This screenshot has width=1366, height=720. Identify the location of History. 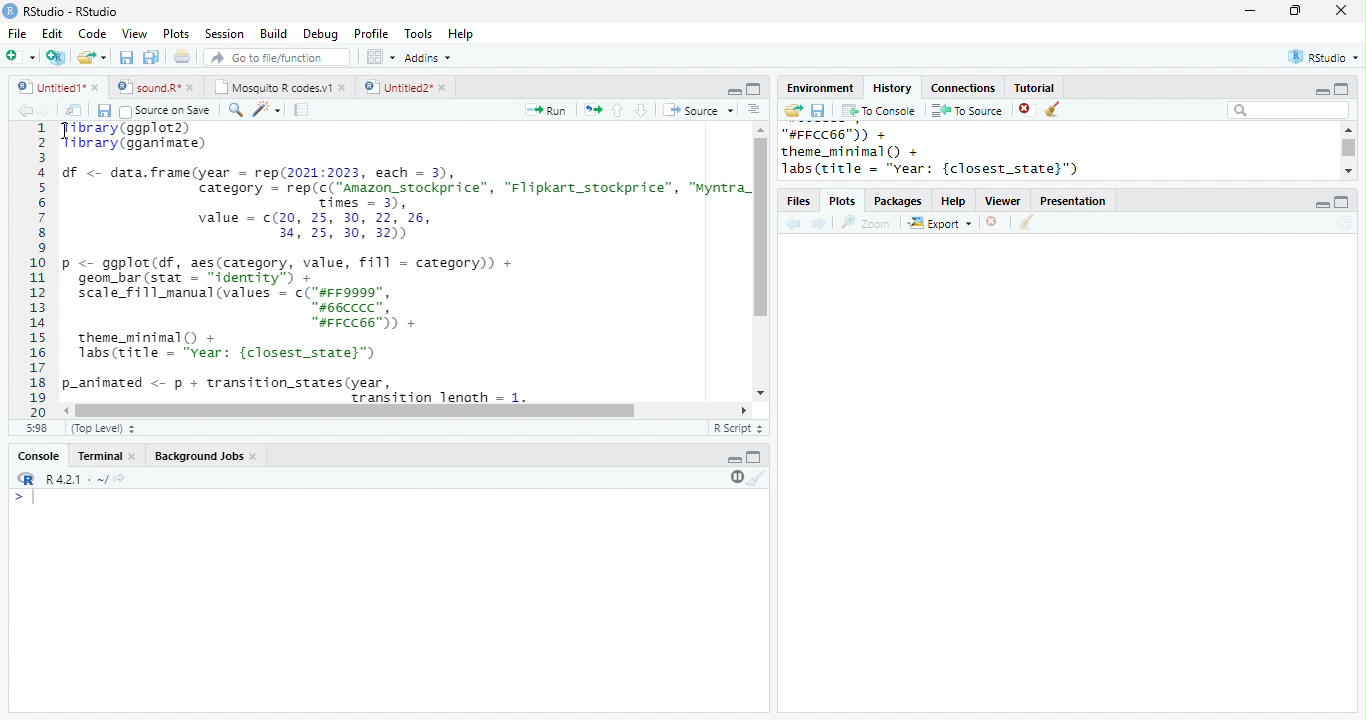
(892, 88).